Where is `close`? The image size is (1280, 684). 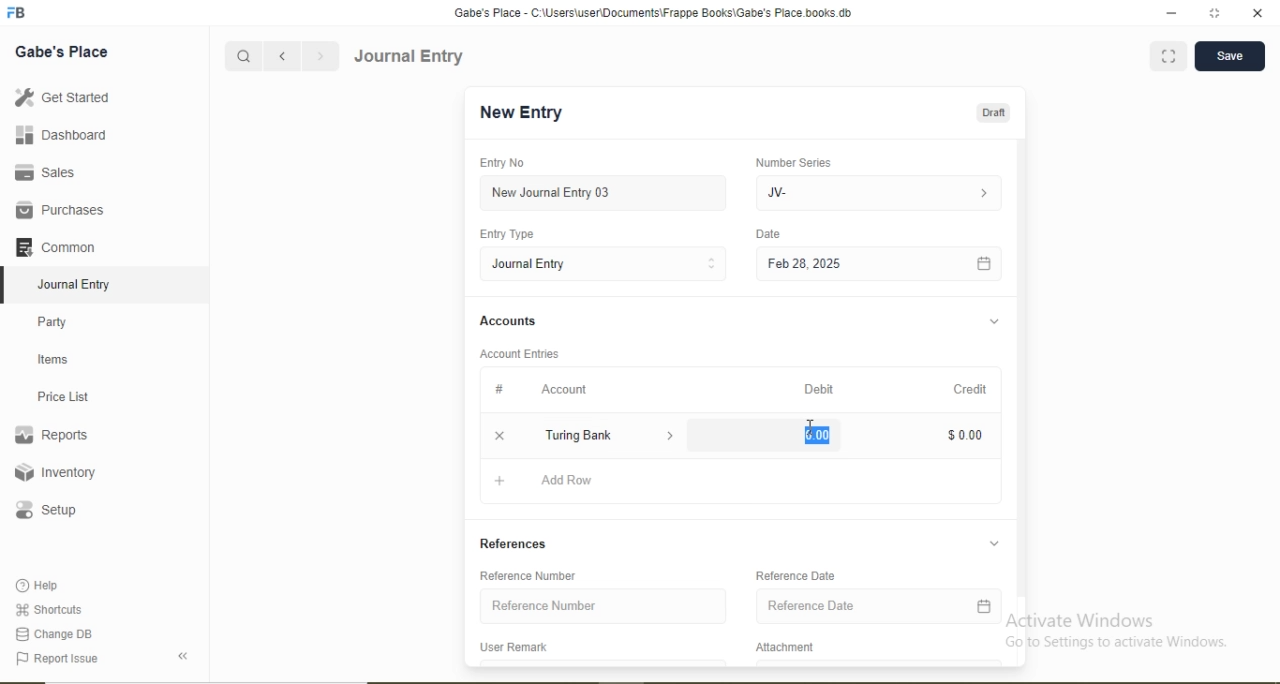
close is located at coordinates (1259, 13).